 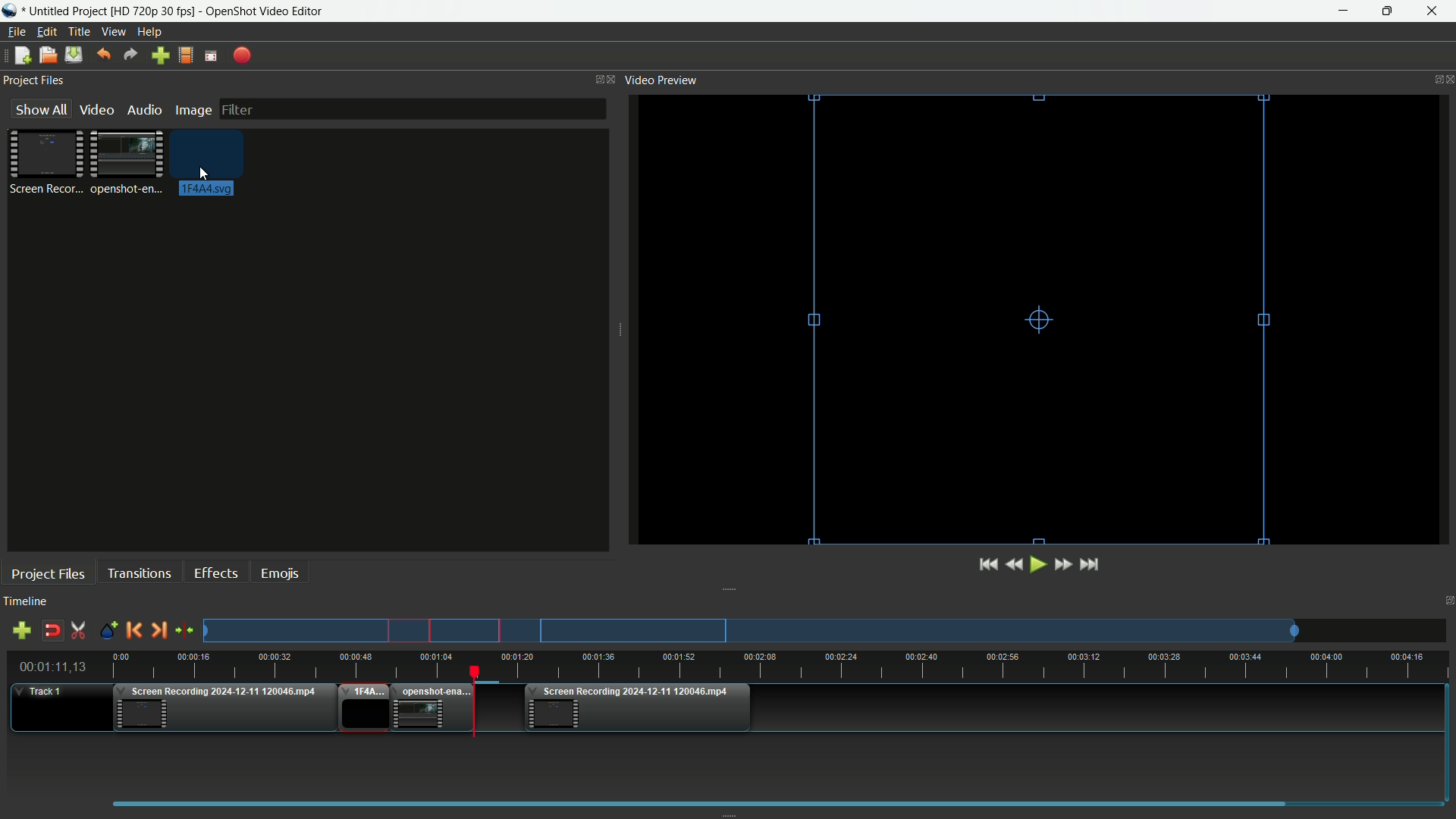 What do you see at coordinates (124, 161) in the screenshot?
I see `Project file 2` at bounding box center [124, 161].